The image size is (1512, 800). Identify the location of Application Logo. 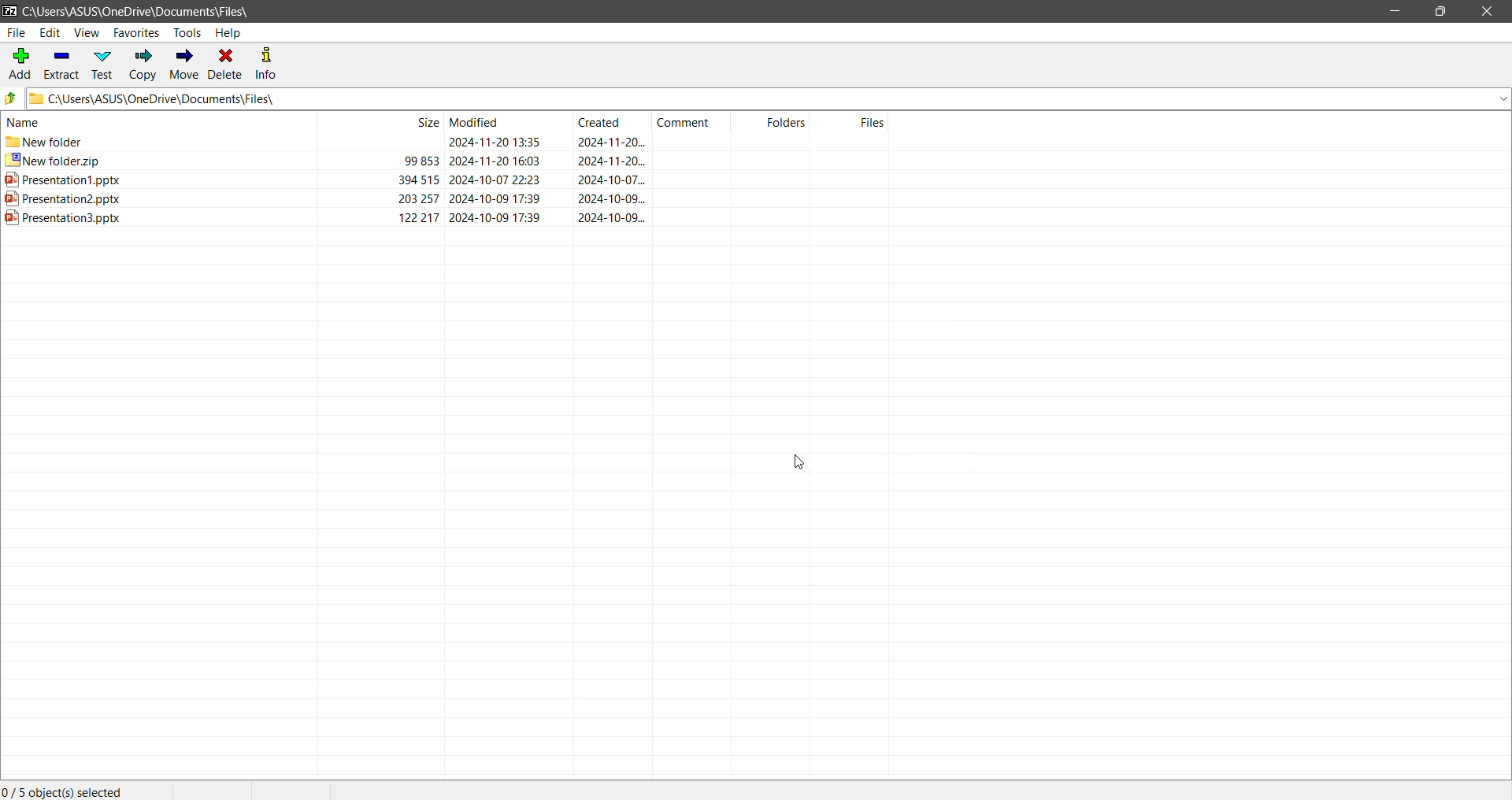
(9, 9).